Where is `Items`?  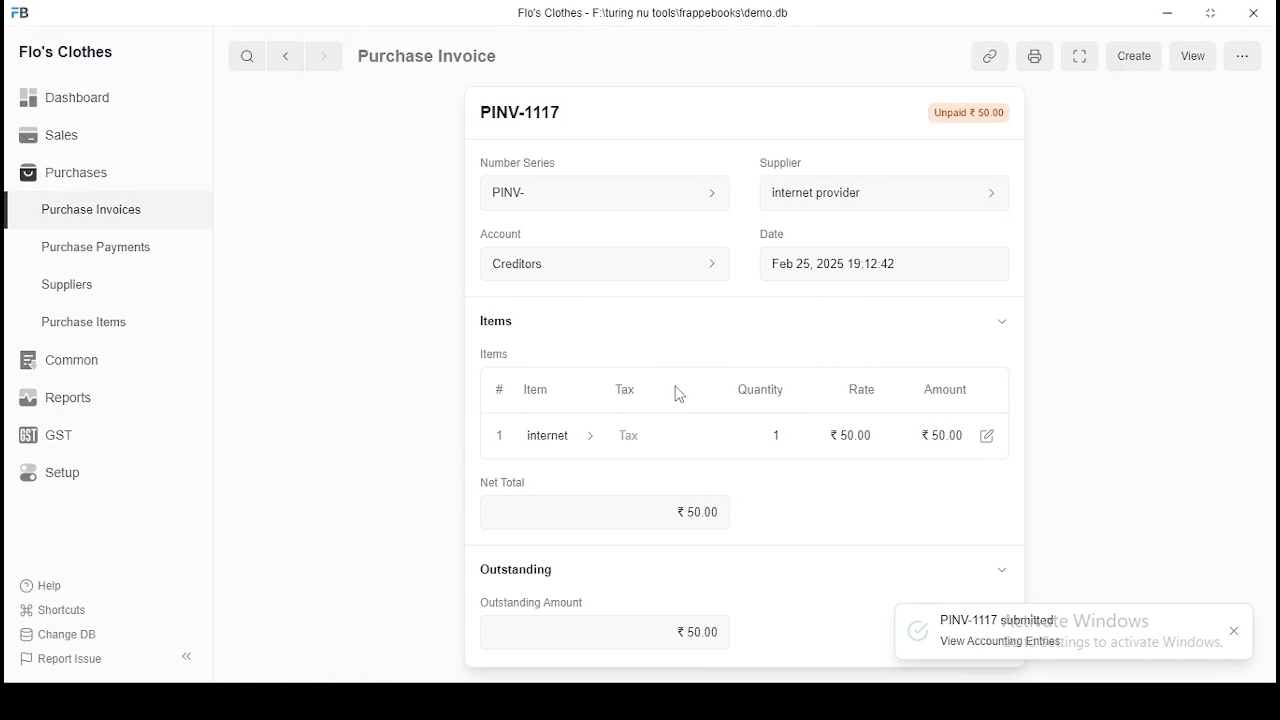
Items is located at coordinates (495, 354).